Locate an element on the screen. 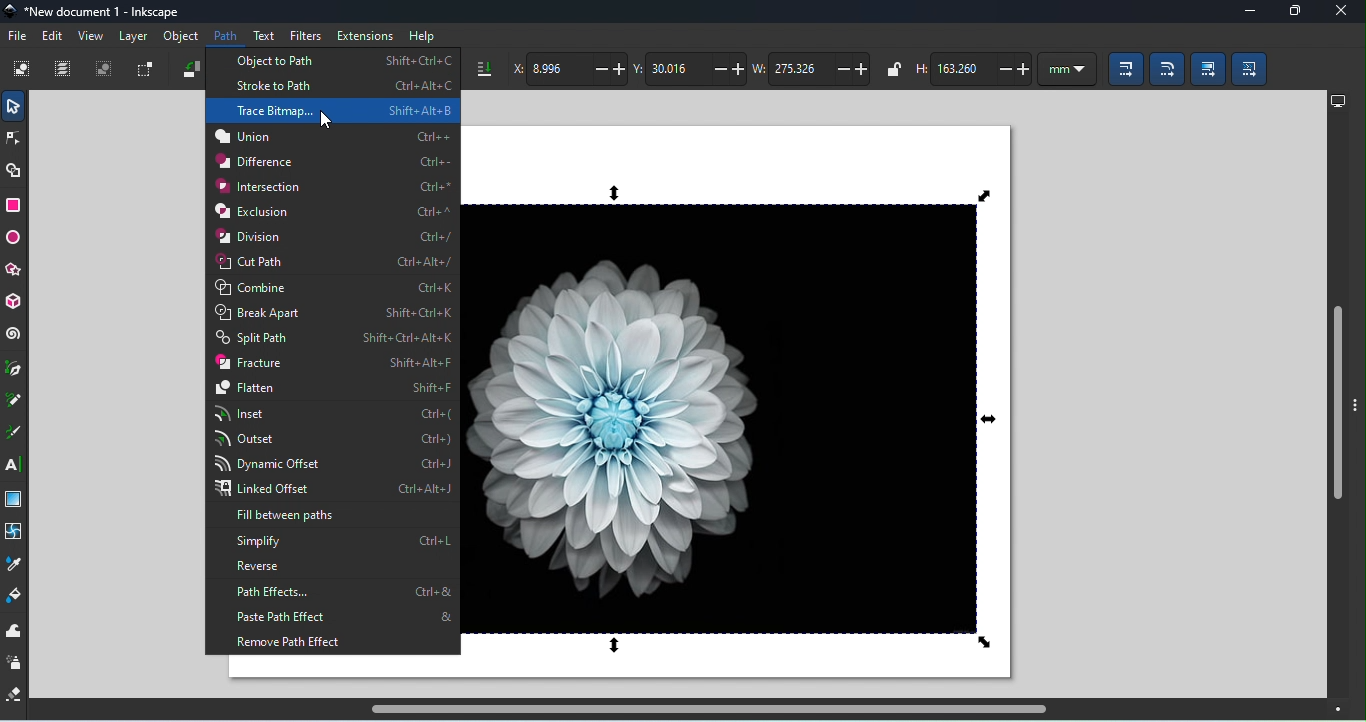  Horizontal coordinate of the selection is located at coordinates (572, 69).